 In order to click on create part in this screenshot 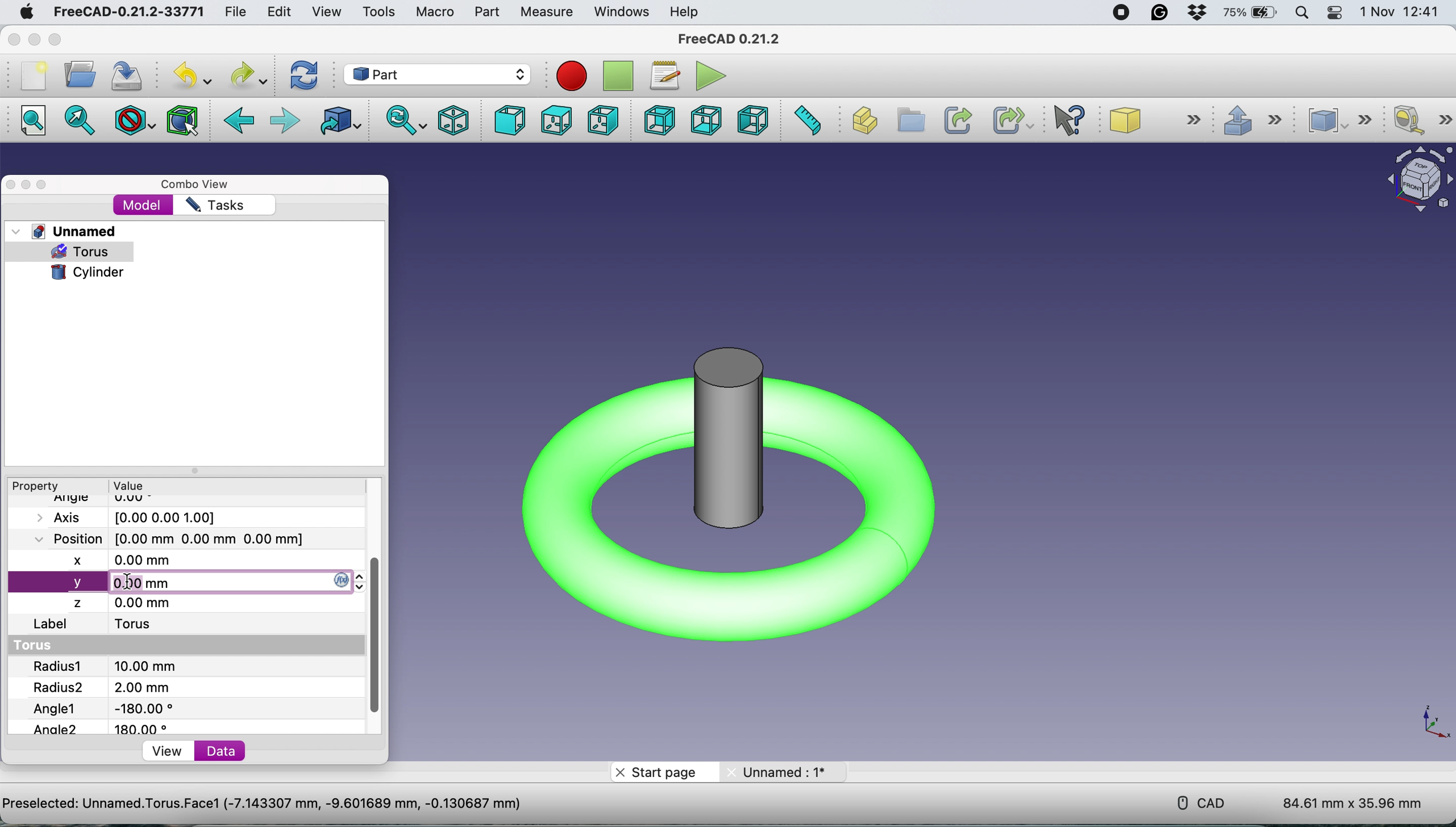, I will do `click(863, 123)`.